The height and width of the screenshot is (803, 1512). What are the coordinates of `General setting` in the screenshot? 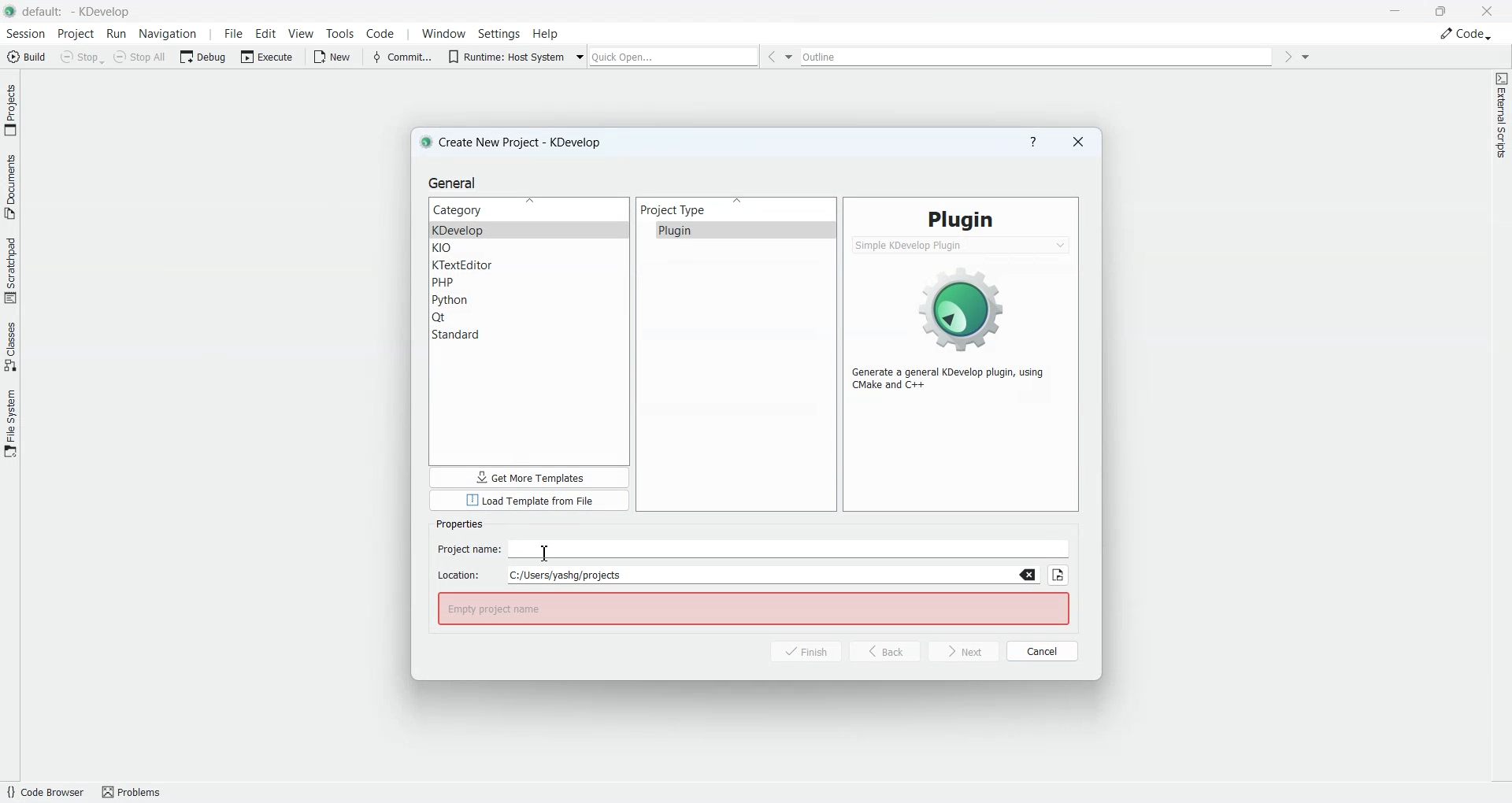 It's located at (455, 183).